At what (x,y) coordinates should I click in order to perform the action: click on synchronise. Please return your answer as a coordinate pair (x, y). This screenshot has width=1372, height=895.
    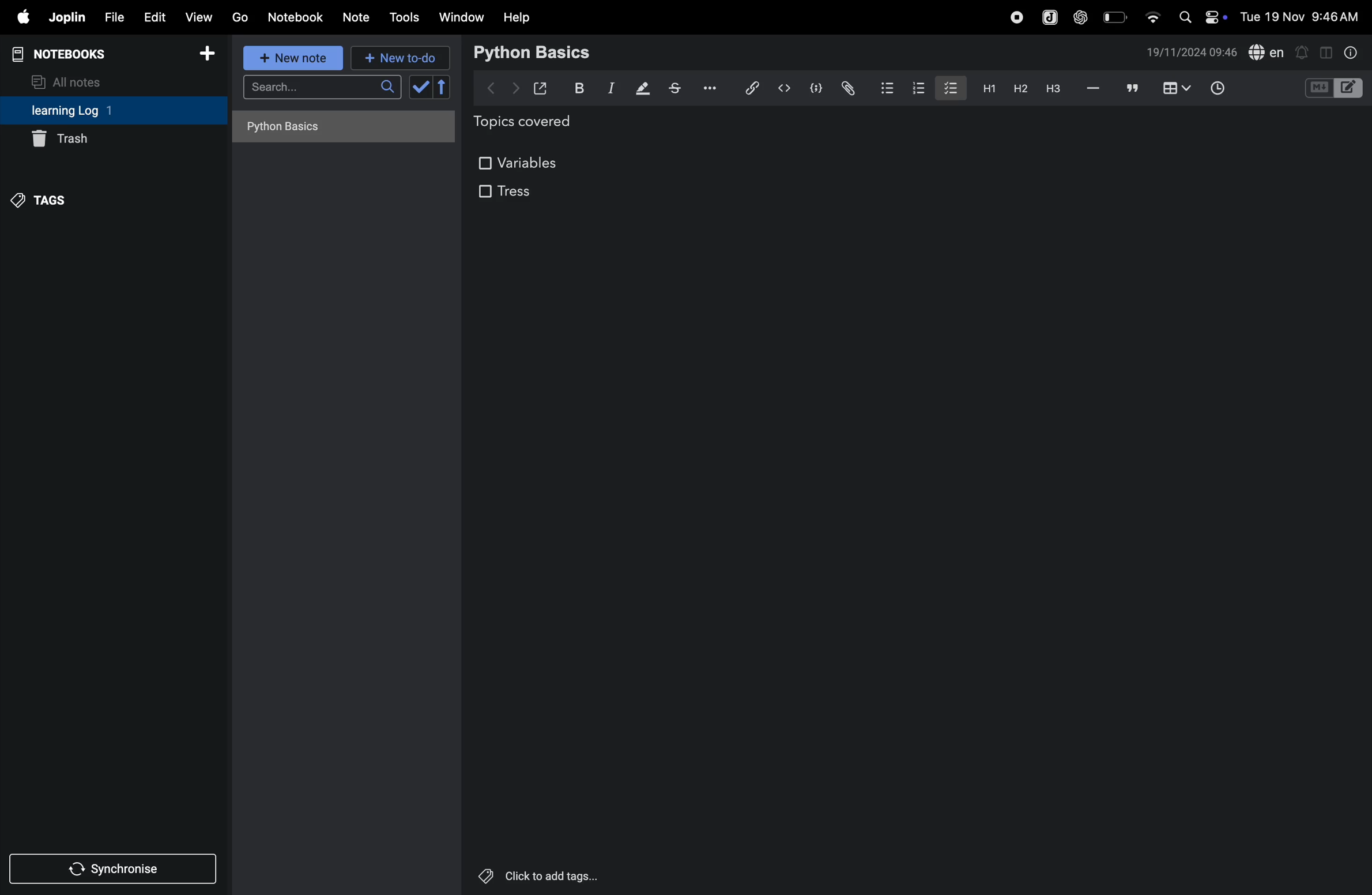
    Looking at the image, I should click on (115, 870).